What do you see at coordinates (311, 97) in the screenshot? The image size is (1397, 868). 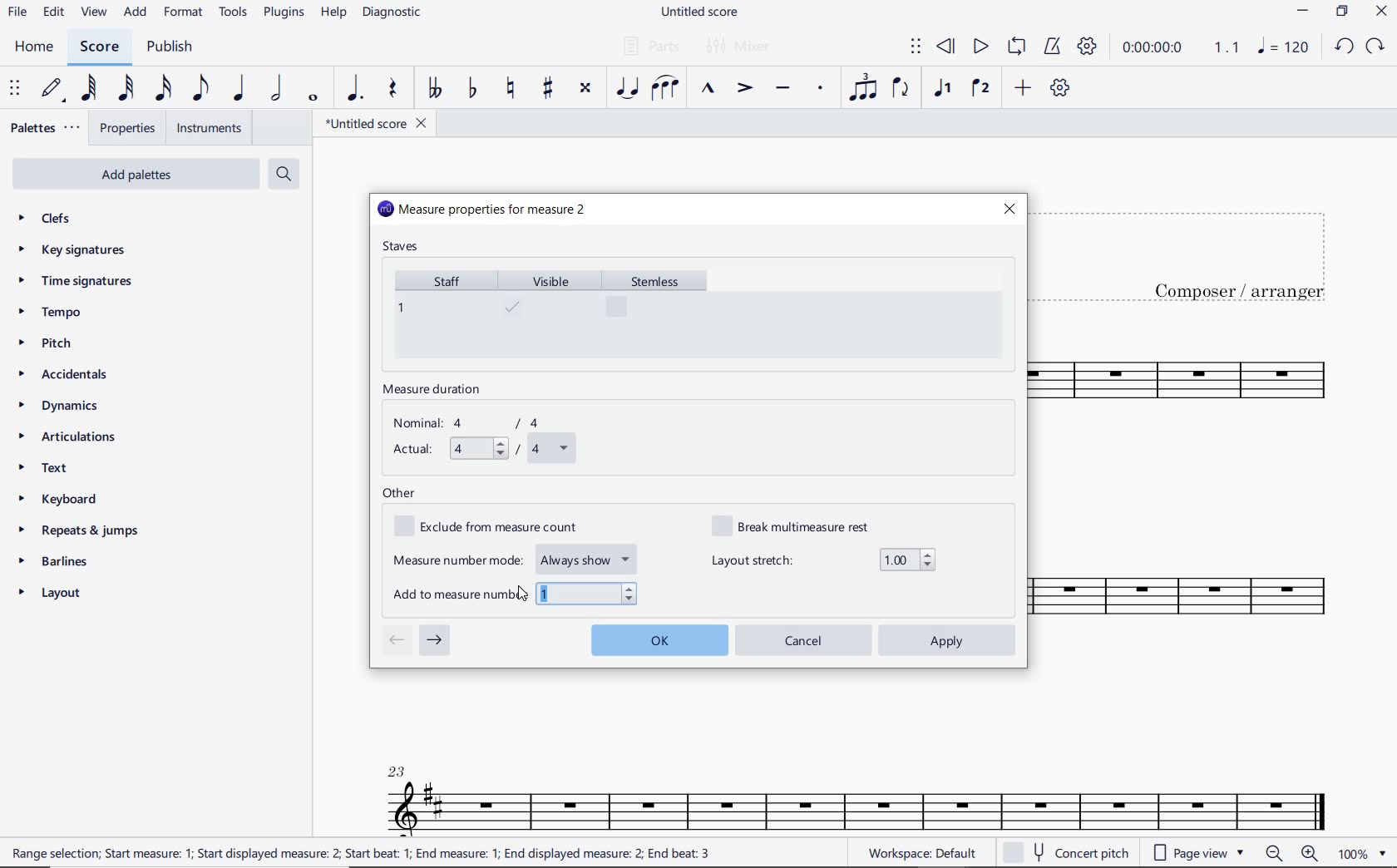 I see `WHOLE NOTE` at bounding box center [311, 97].